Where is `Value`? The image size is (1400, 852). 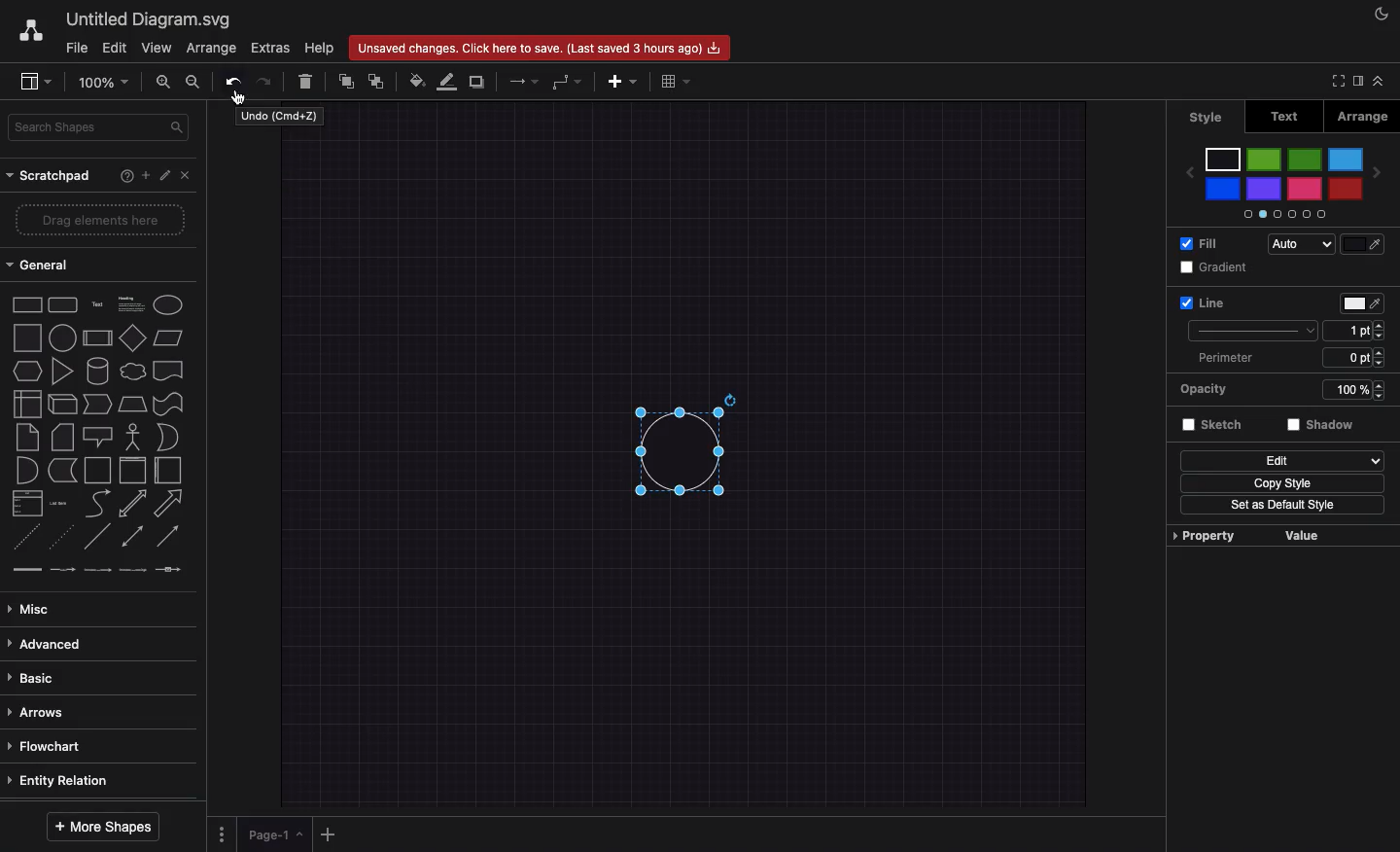
Value is located at coordinates (1205, 538).